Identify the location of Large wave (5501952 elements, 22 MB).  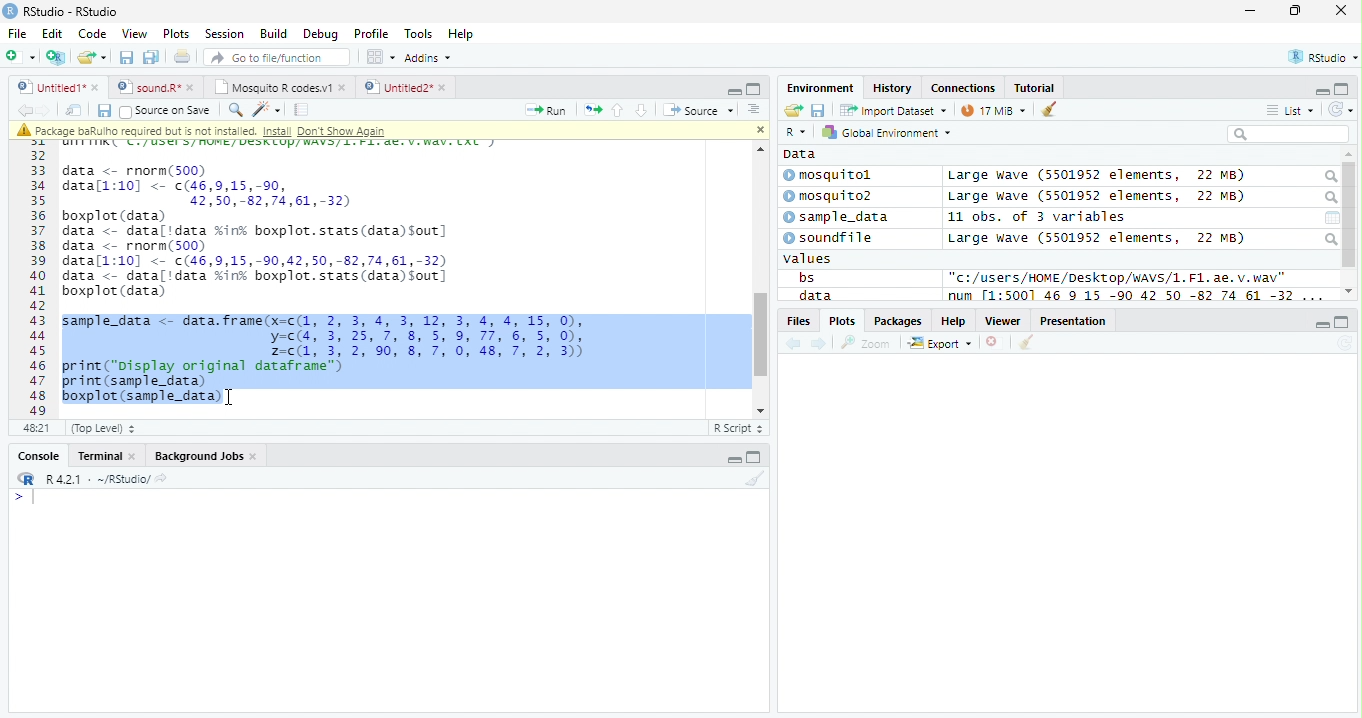
(1096, 176).